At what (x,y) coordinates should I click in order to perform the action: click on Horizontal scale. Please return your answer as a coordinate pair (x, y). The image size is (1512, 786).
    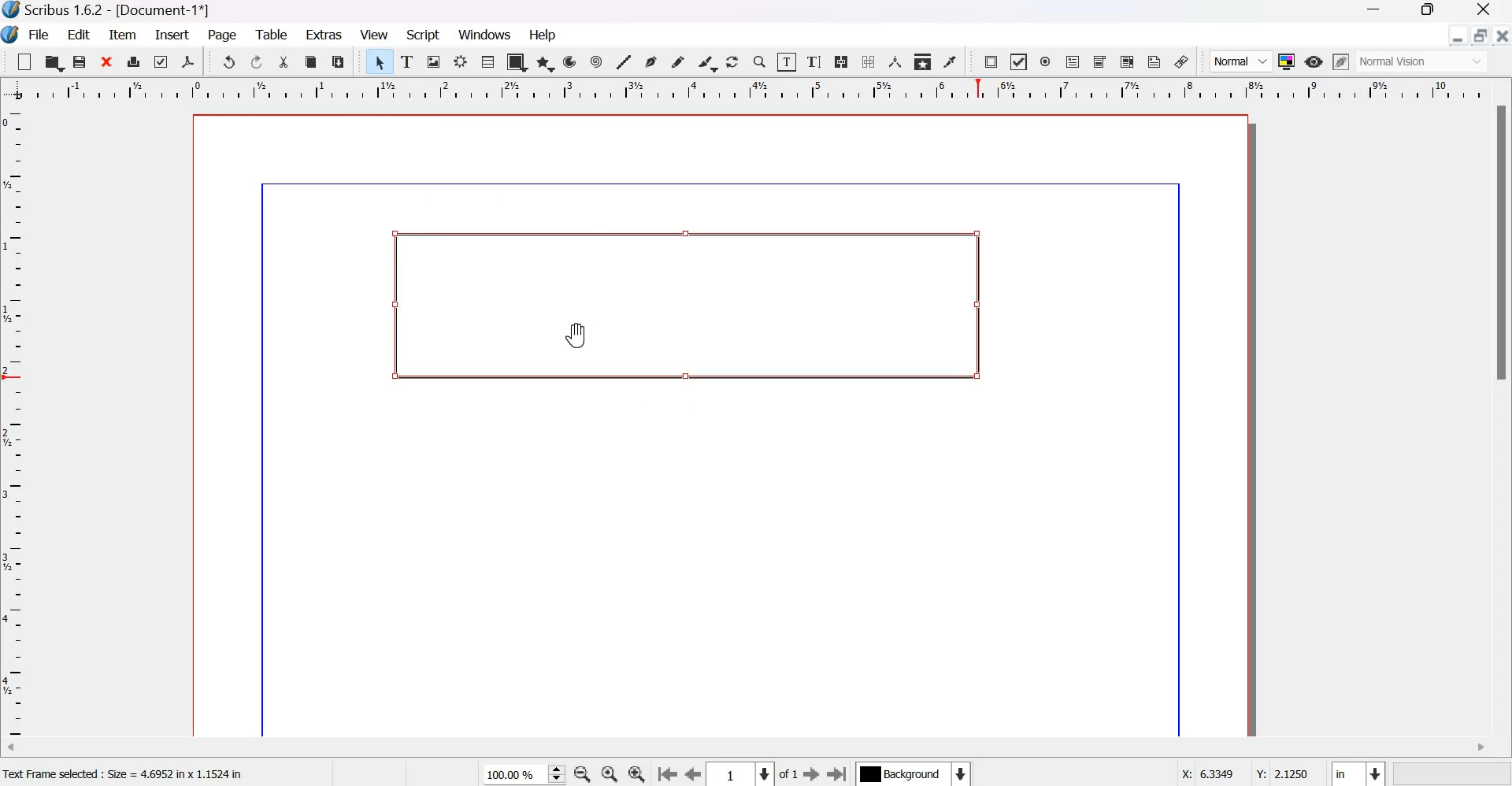
    Looking at the image, I should click on (754, 90).